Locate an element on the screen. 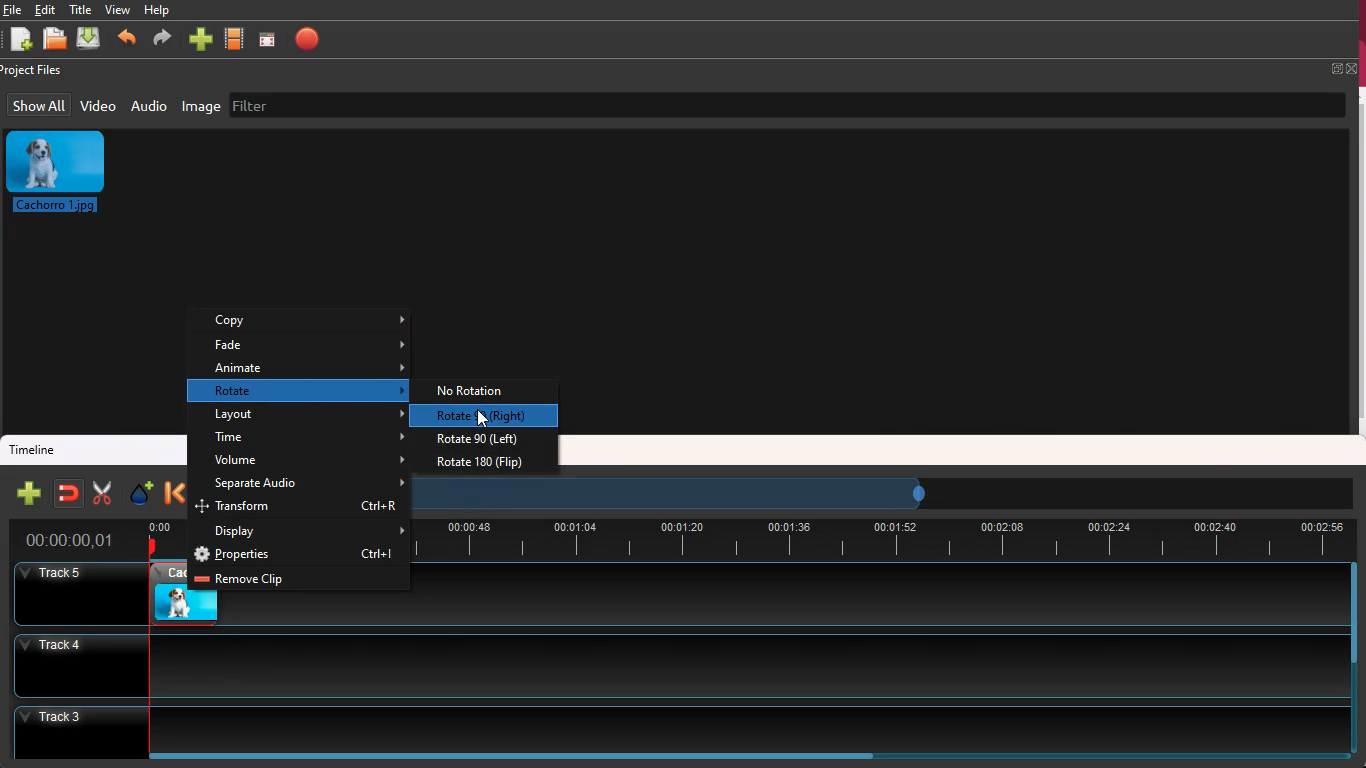 This screenshot has width=1366, height=768.  is located at coordinates (80, 595).